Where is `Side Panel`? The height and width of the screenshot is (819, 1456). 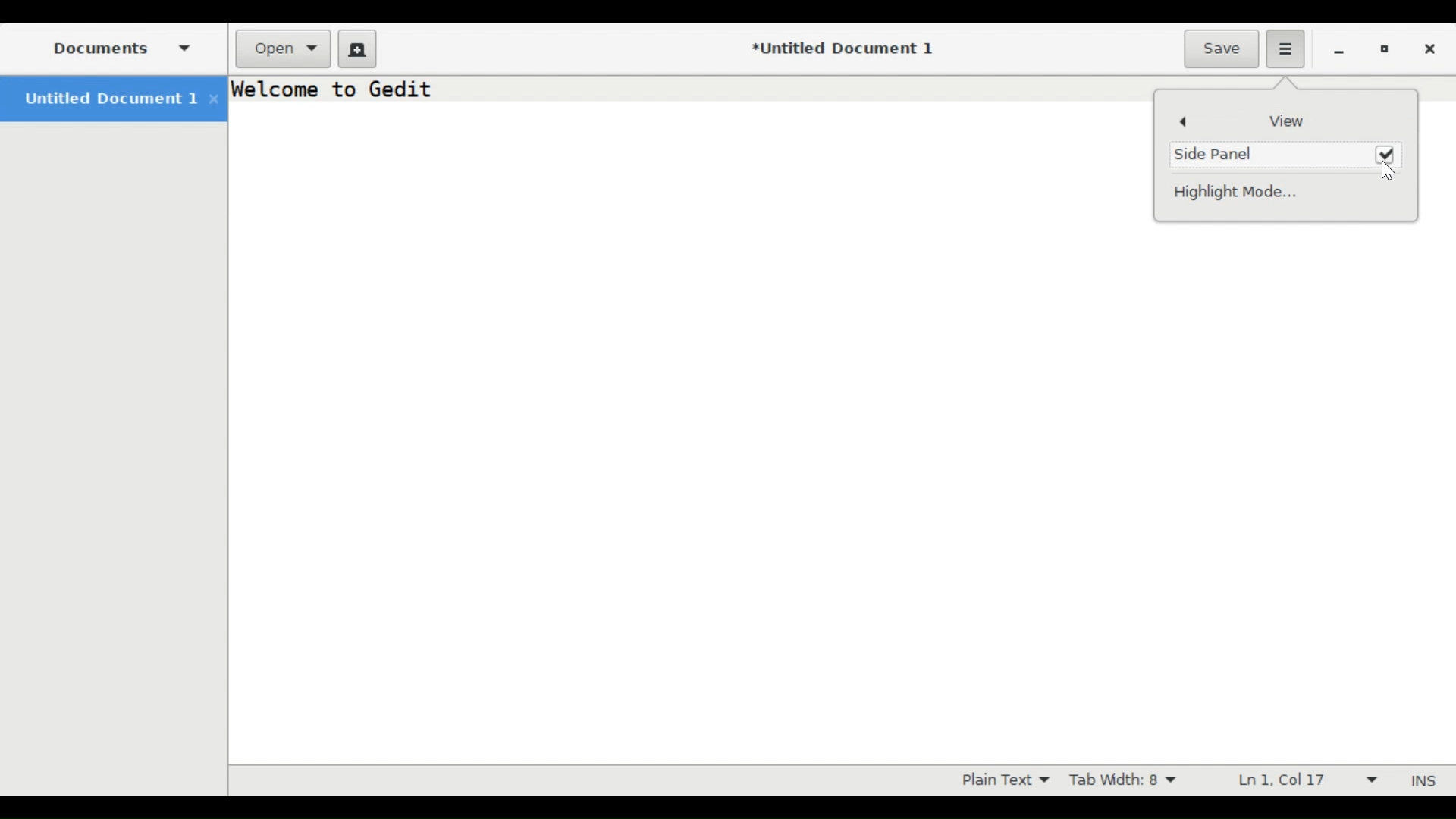 Side Panel is located at coordinates (1222, 152).